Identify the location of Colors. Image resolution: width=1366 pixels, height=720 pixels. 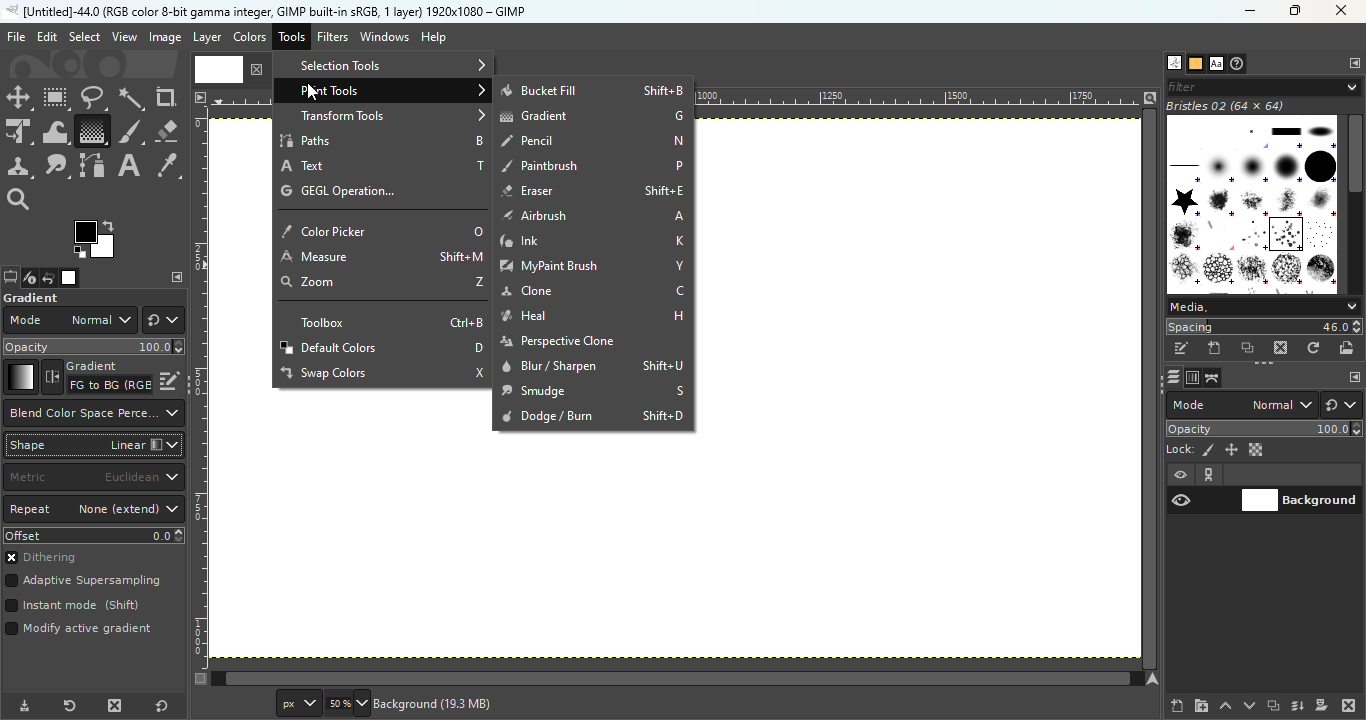
(248, 36).